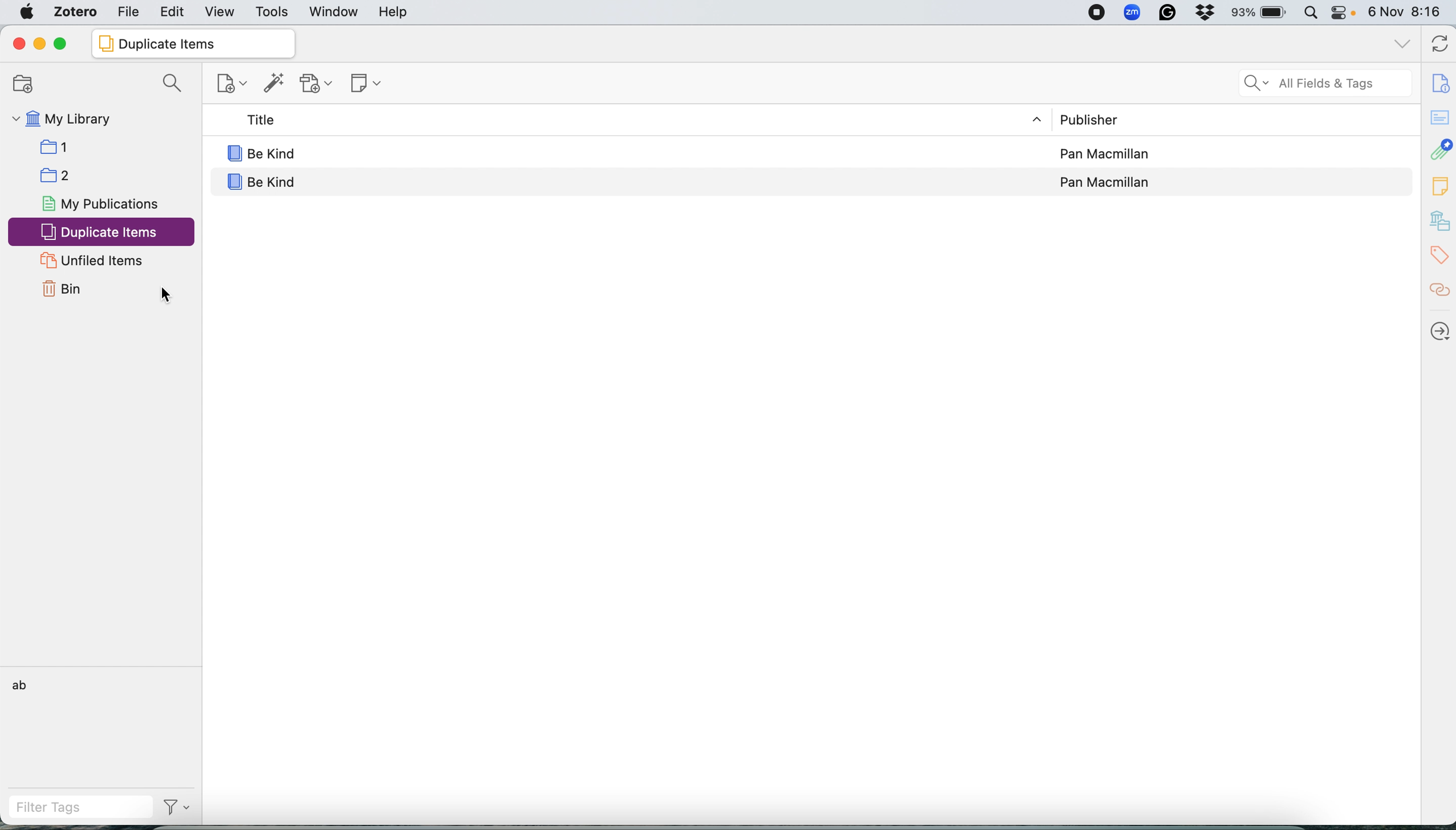  Describe the element at coordinates (1439, 150) in the screenshot. I see `attachment` at that location.